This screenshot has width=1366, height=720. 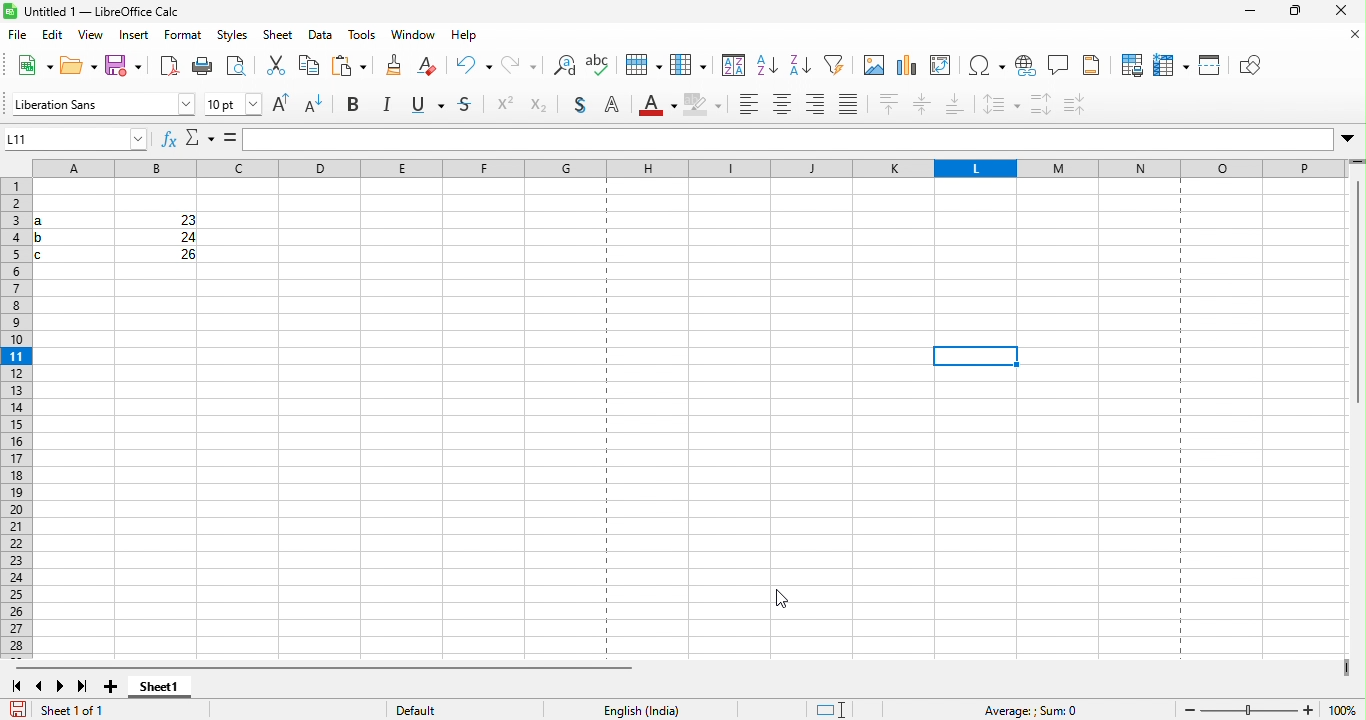 What do you see at coordinates (113, 239) in the screenshot?
I see `cells` at bounding box center [113, 239].